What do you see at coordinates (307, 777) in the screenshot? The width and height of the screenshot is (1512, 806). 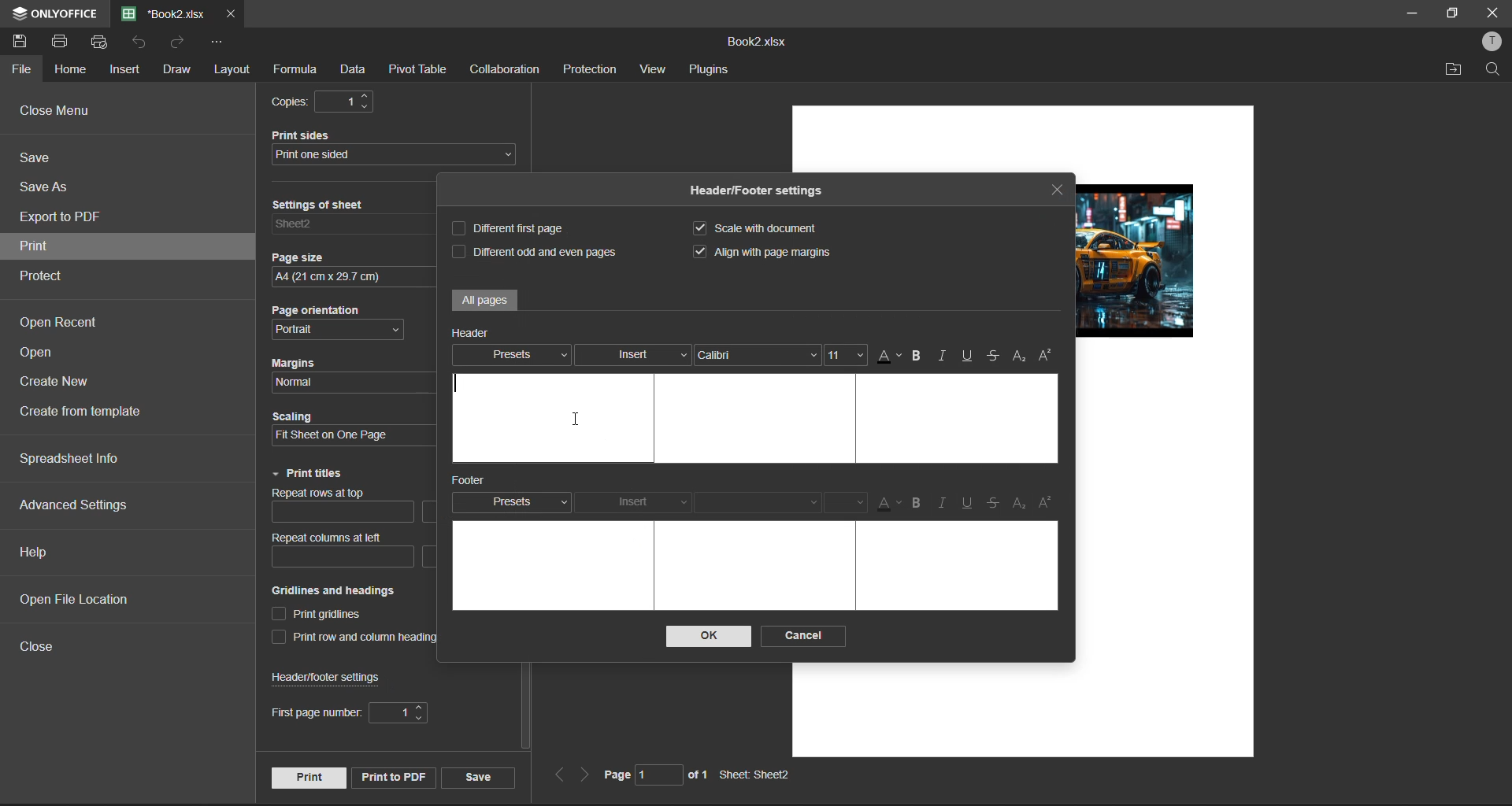 I see `print` at bounding box center [307, 777].